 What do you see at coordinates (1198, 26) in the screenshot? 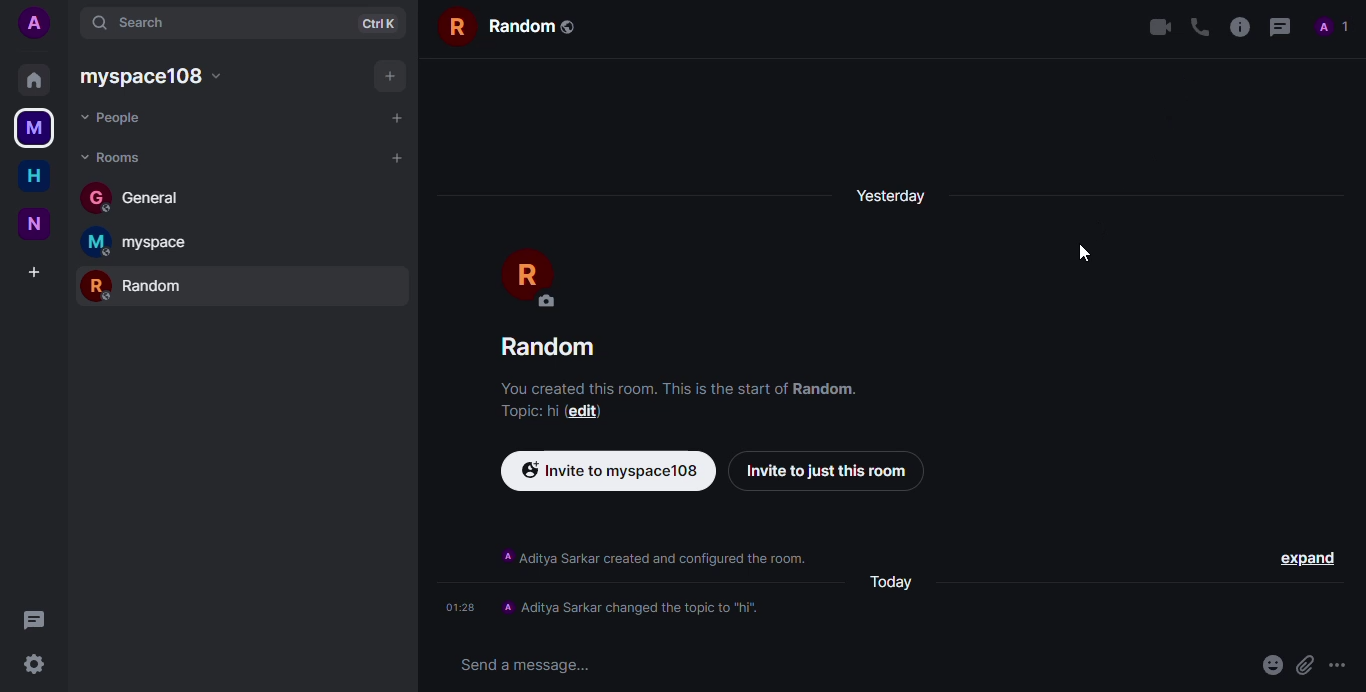
I see `voice call` at bounding box center [1198, 26].